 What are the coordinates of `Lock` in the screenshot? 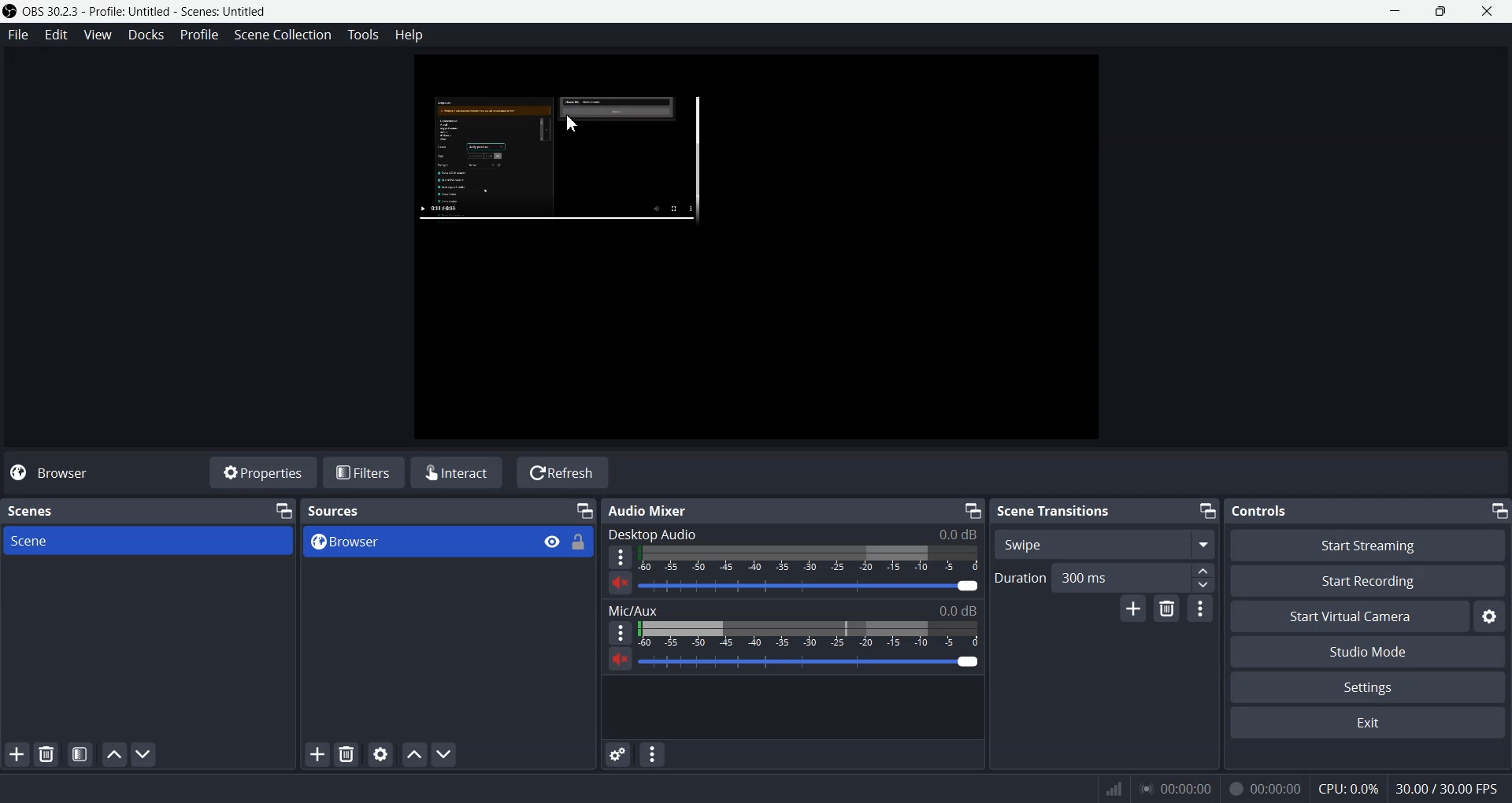 It's located at (579, 542).